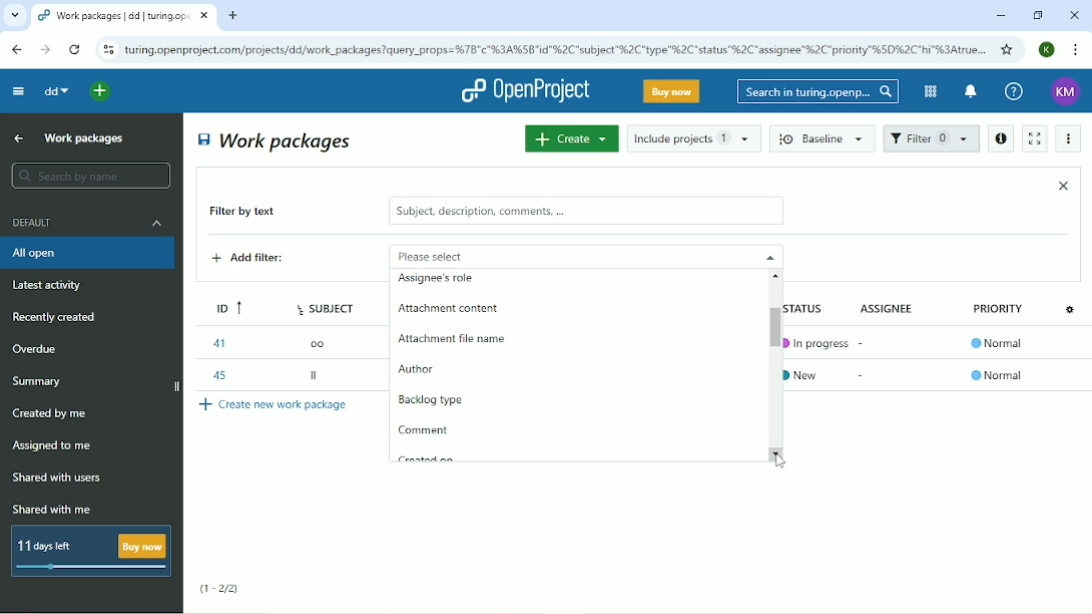  What do you see at coordinates (85, 137) in the screenshot?
I see `Work packages` at bounding box center [85, 137].